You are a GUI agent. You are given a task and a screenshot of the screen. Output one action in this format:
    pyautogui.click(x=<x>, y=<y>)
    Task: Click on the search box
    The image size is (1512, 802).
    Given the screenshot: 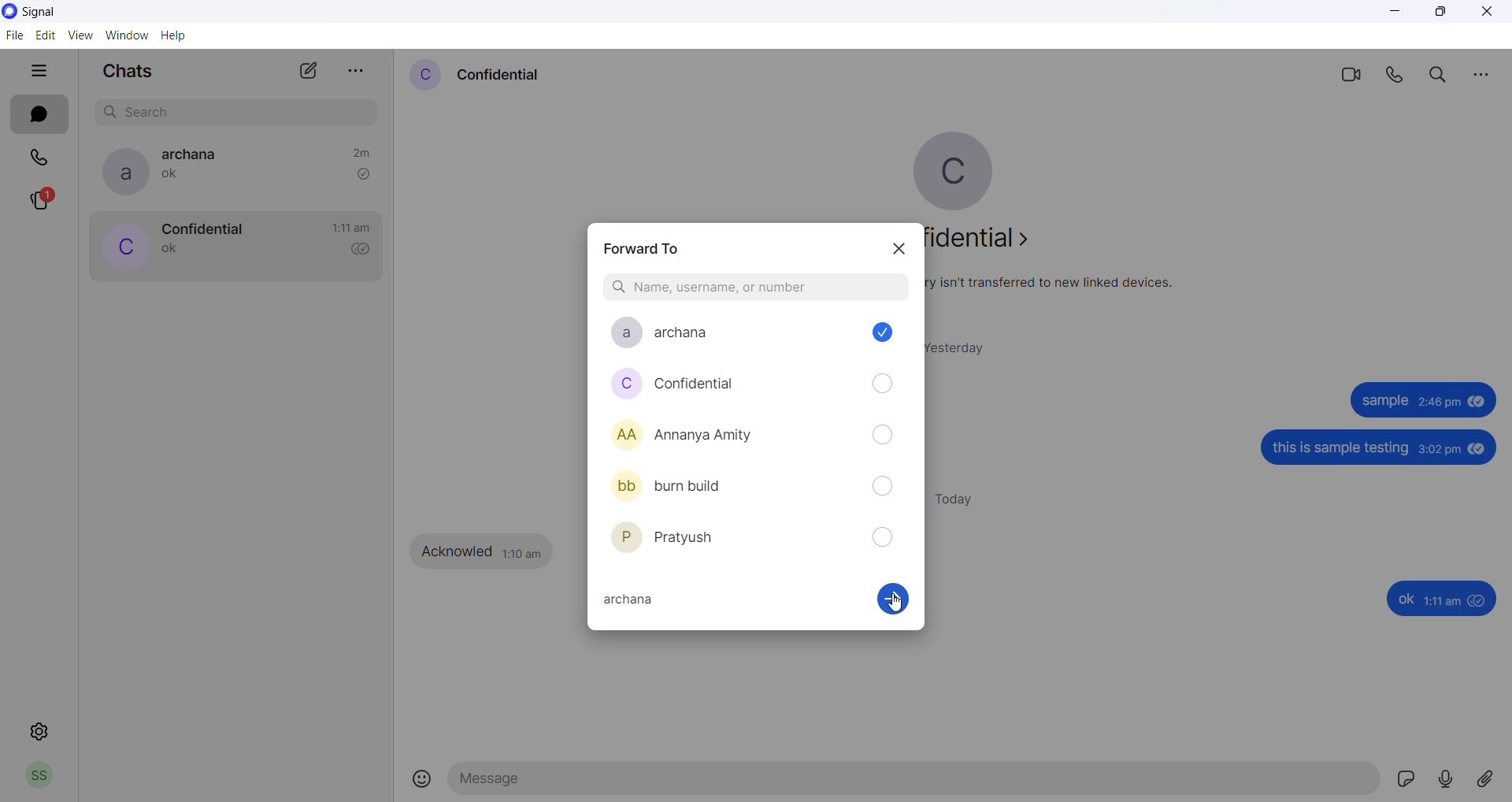 What is the action you would take?
    pyautogui.click(x=240, y=110)
    